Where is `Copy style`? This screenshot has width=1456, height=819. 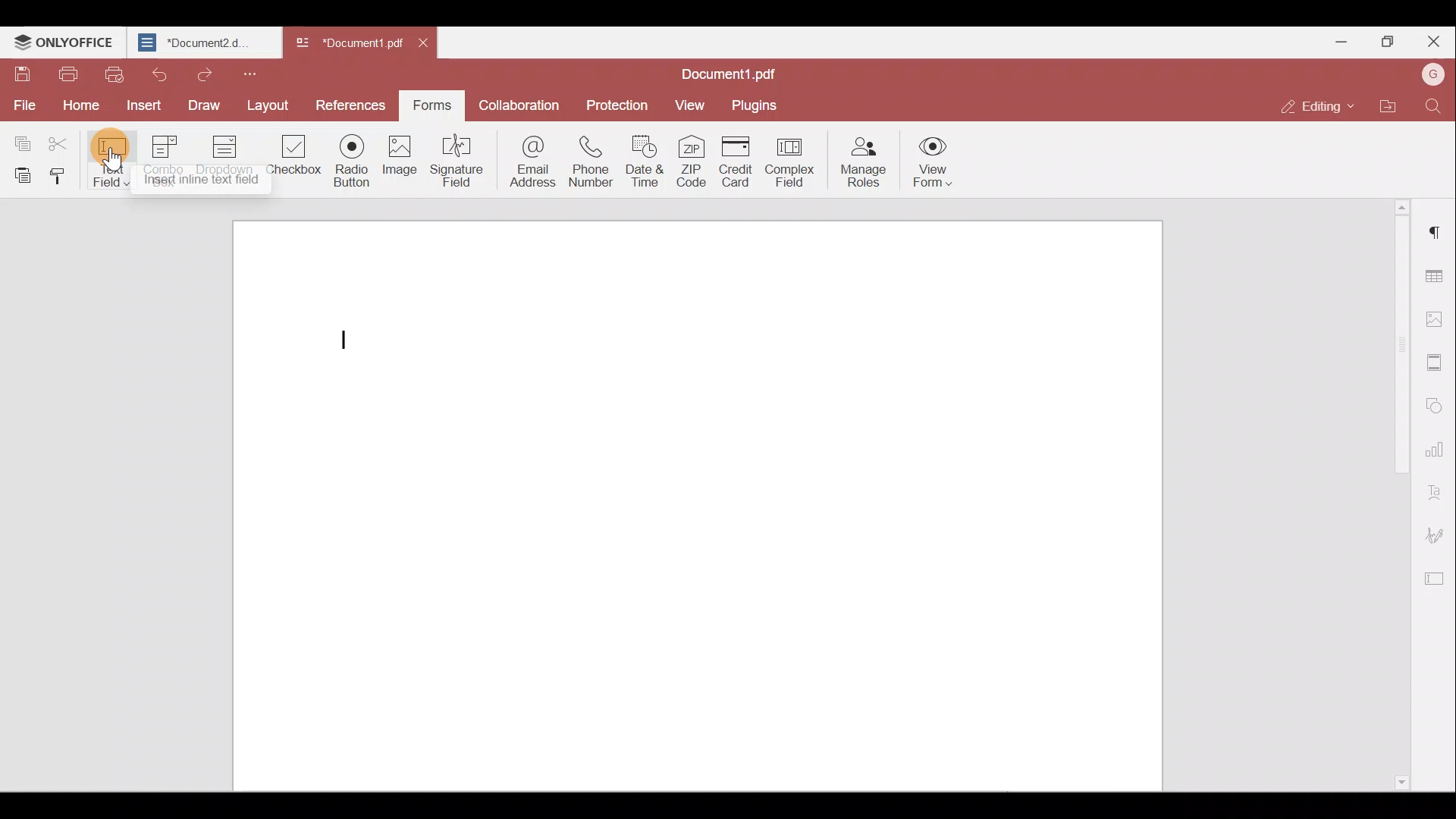 Copy style is located at coordinates (59, 178).